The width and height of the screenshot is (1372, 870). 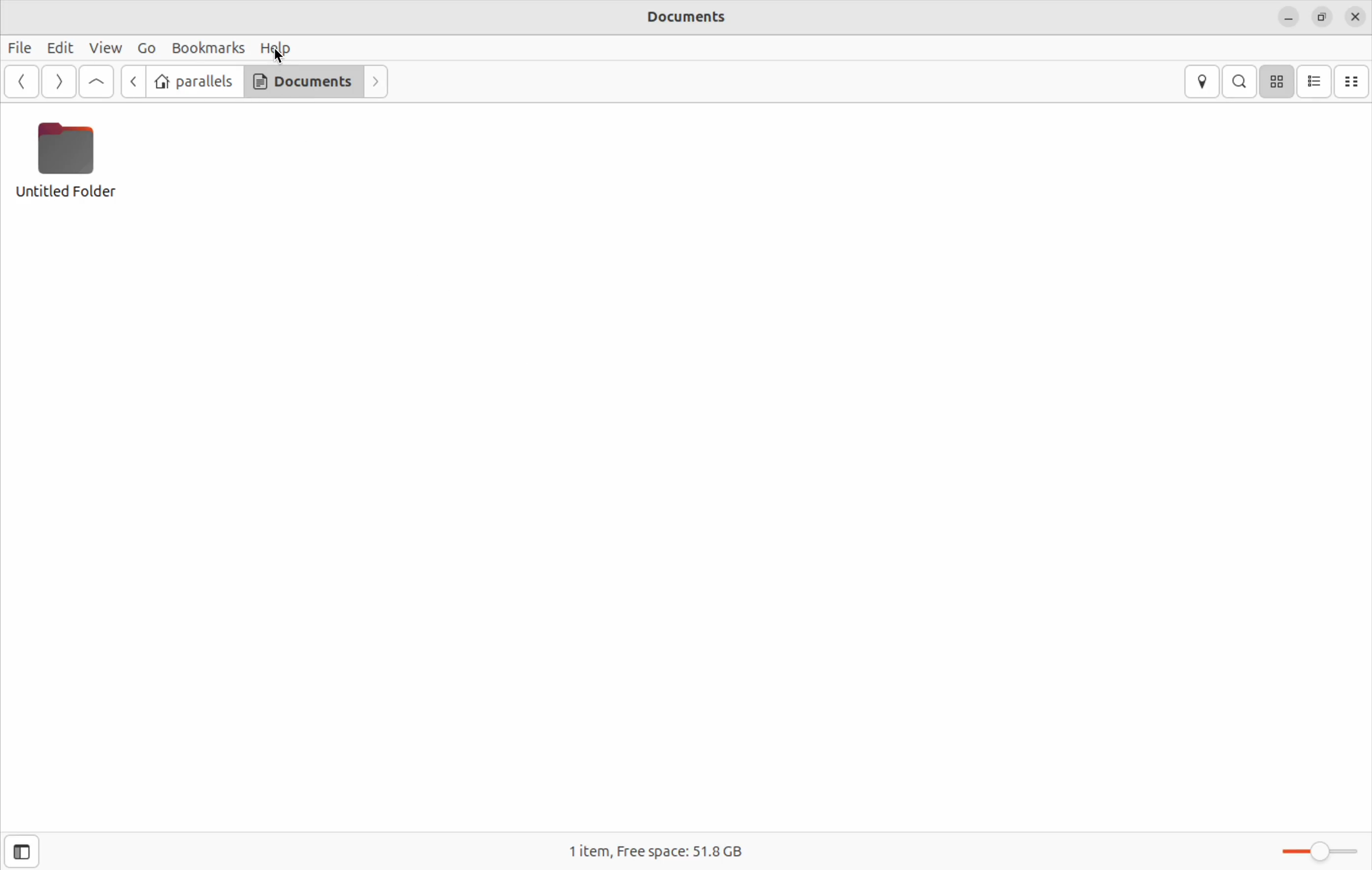 What do you see at coordinates (195, 80) in the screenshot?
I see `parallels` at bounding box center [195, 80].